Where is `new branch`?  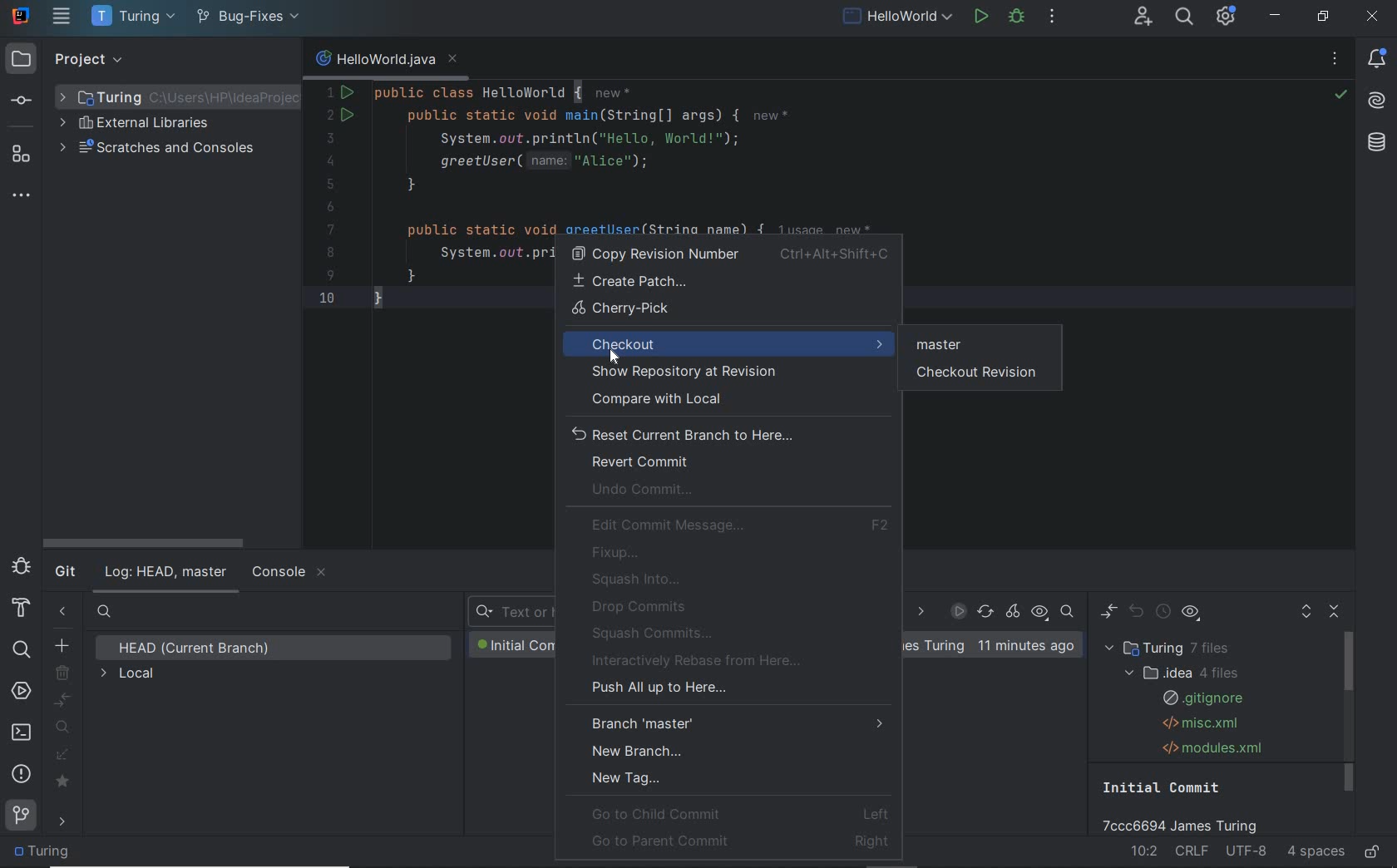
new branch is located at coordinates (62, 644).